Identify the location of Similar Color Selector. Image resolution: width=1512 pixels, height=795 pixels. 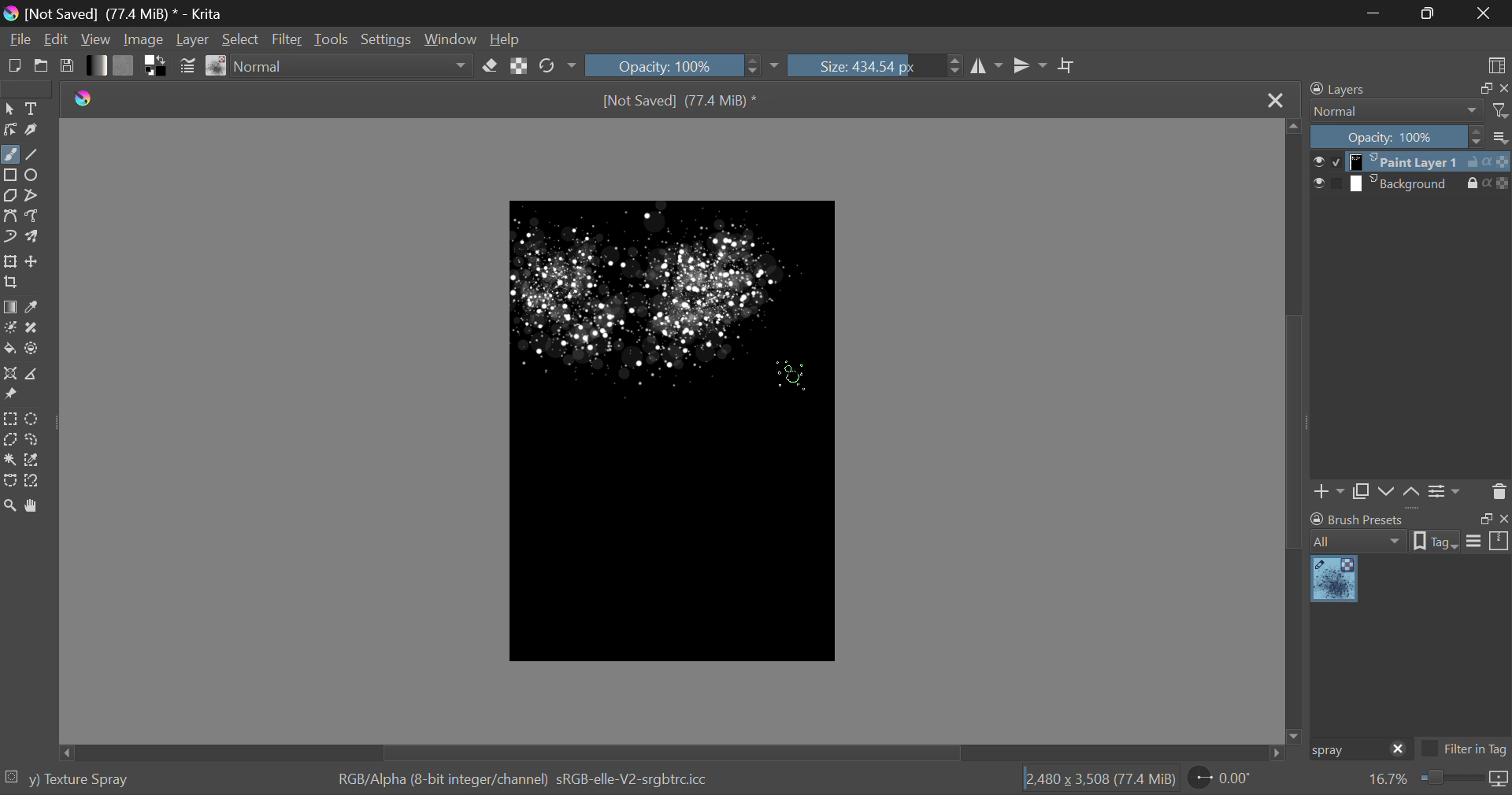
(35, 460).